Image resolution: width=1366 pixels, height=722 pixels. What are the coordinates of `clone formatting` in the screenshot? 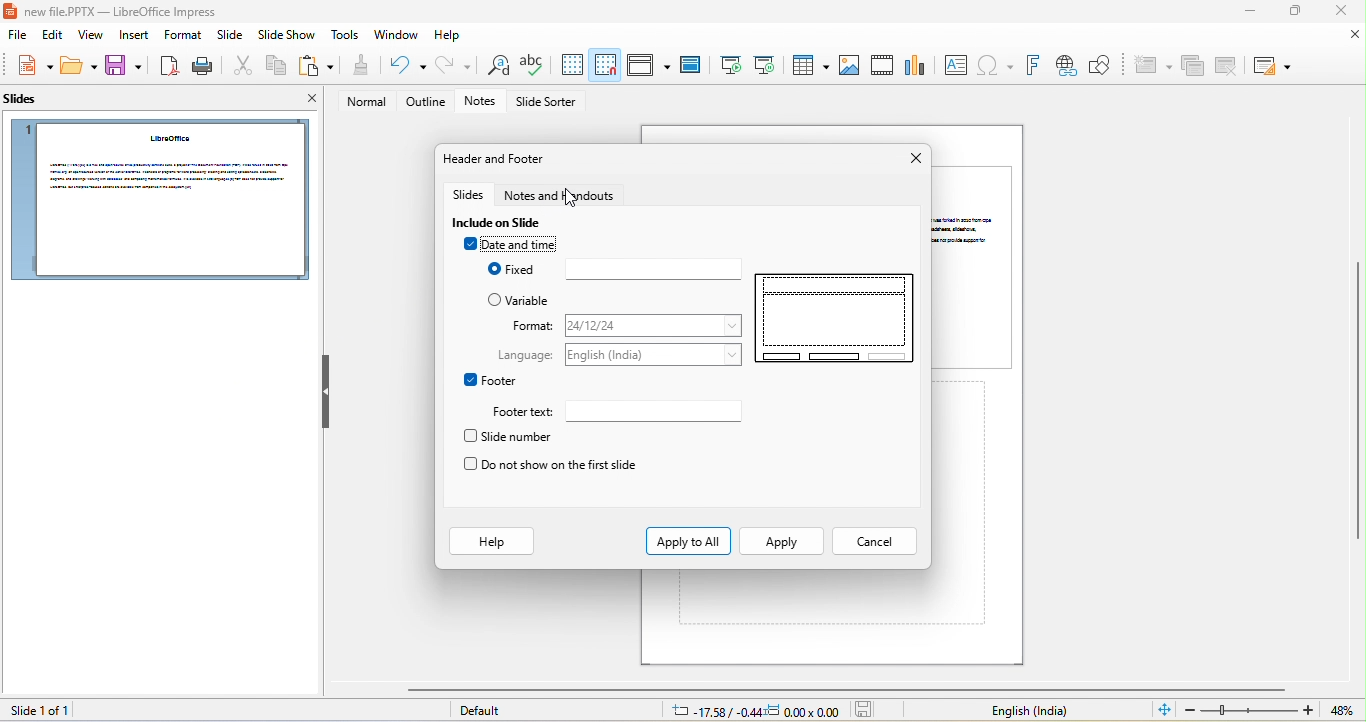 It's located at (359, 66).